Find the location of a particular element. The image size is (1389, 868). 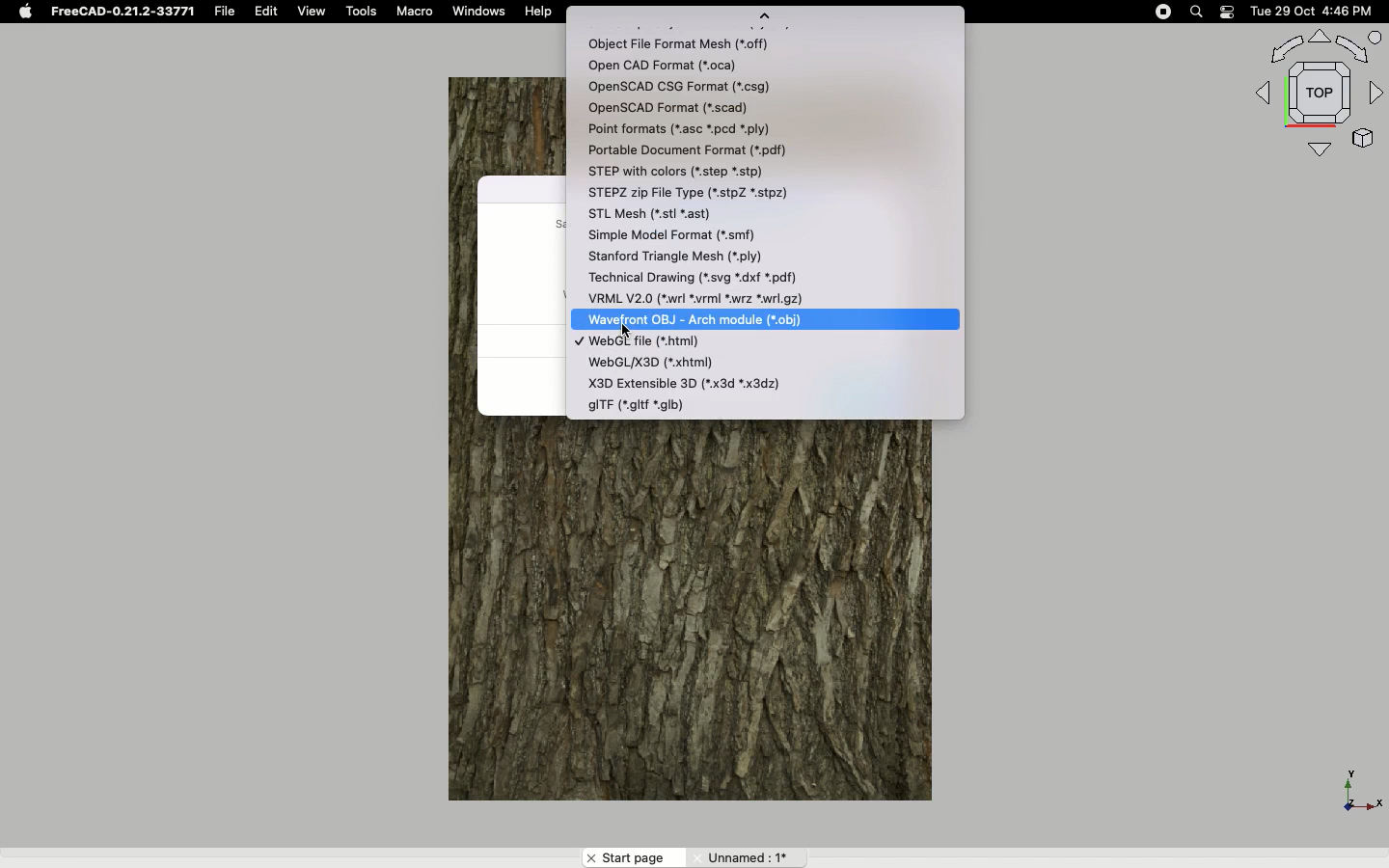

Apple logo is located at coordinates (24, 12).